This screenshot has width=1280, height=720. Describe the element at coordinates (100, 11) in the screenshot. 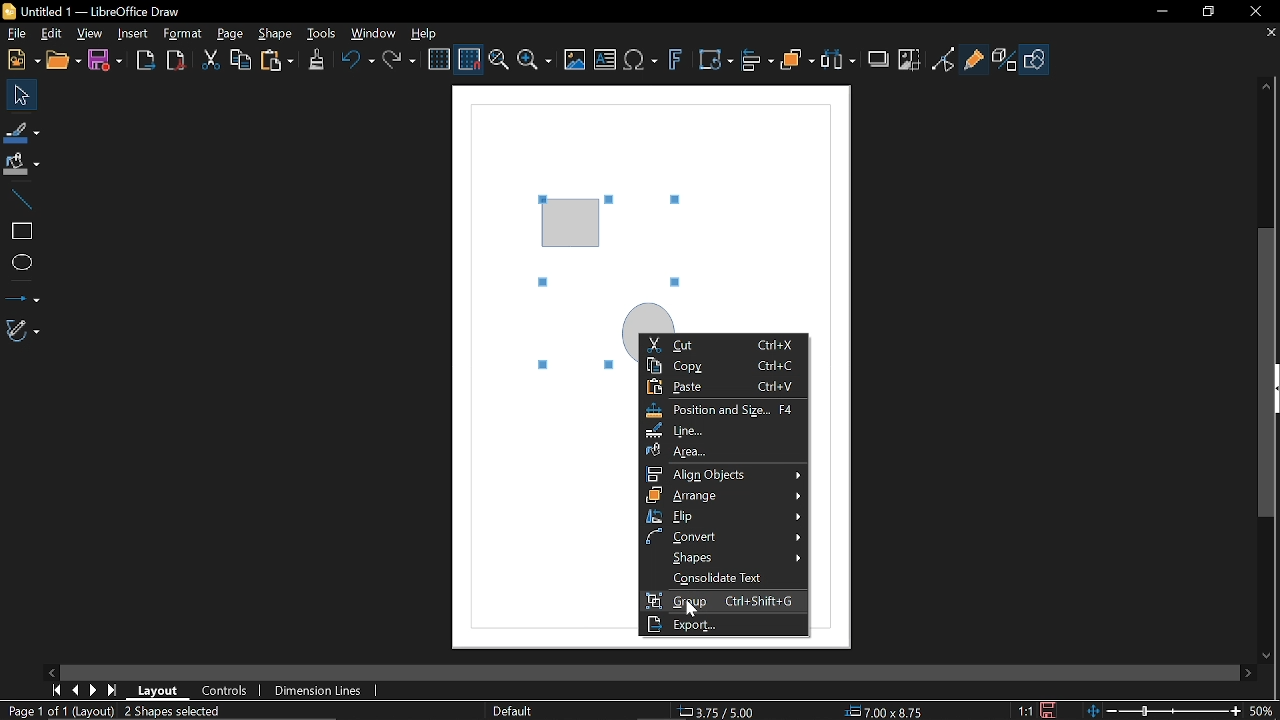

I see `Current window` at that location.